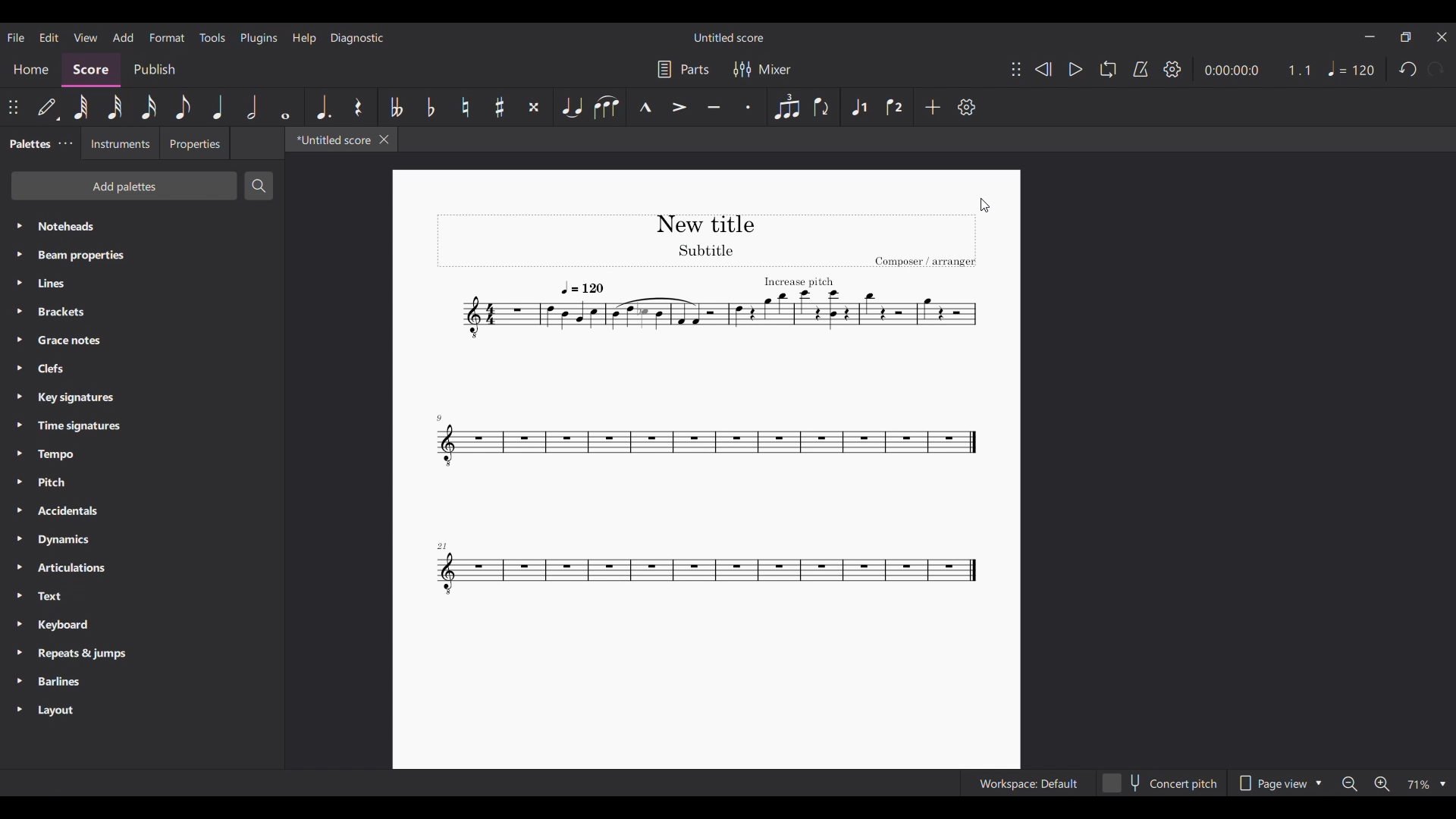  I want to click on Palette settings, so click(65, 143).